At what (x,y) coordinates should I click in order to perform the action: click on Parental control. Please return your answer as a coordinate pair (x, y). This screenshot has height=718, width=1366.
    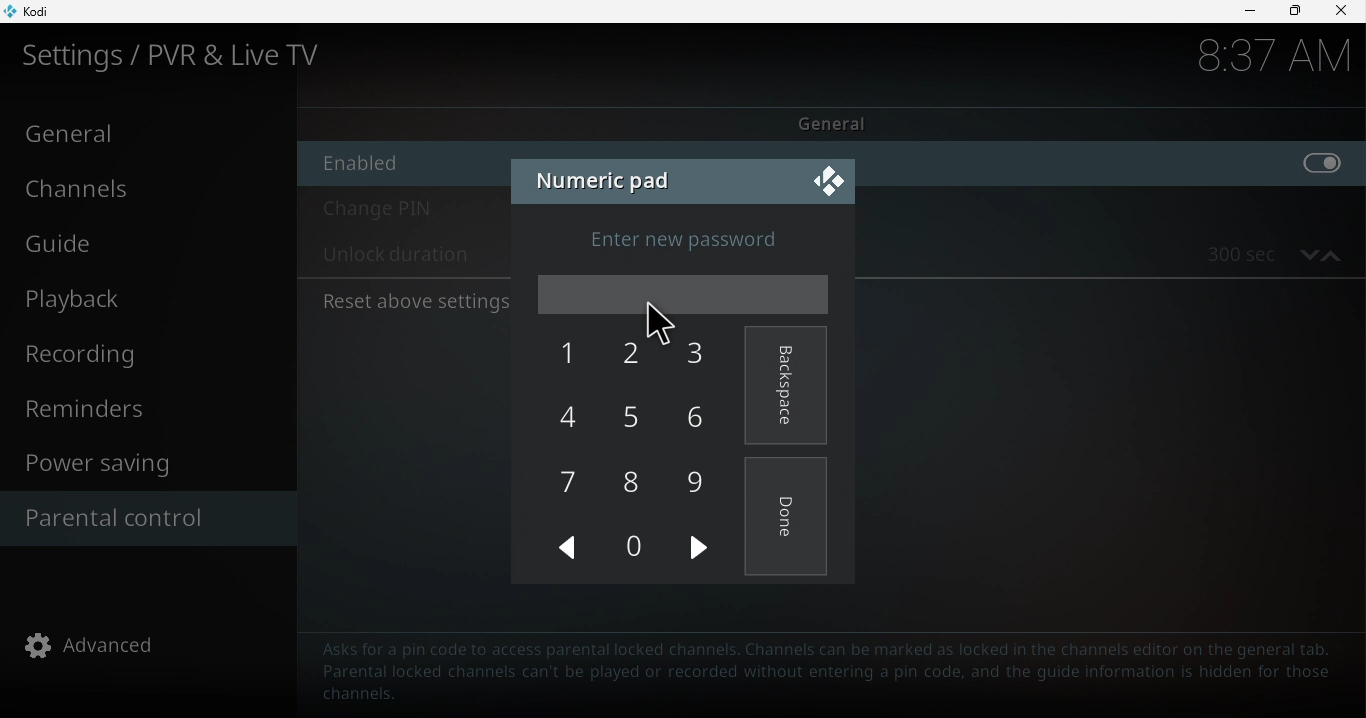
    Looking at the image, I should click on (142, 517).